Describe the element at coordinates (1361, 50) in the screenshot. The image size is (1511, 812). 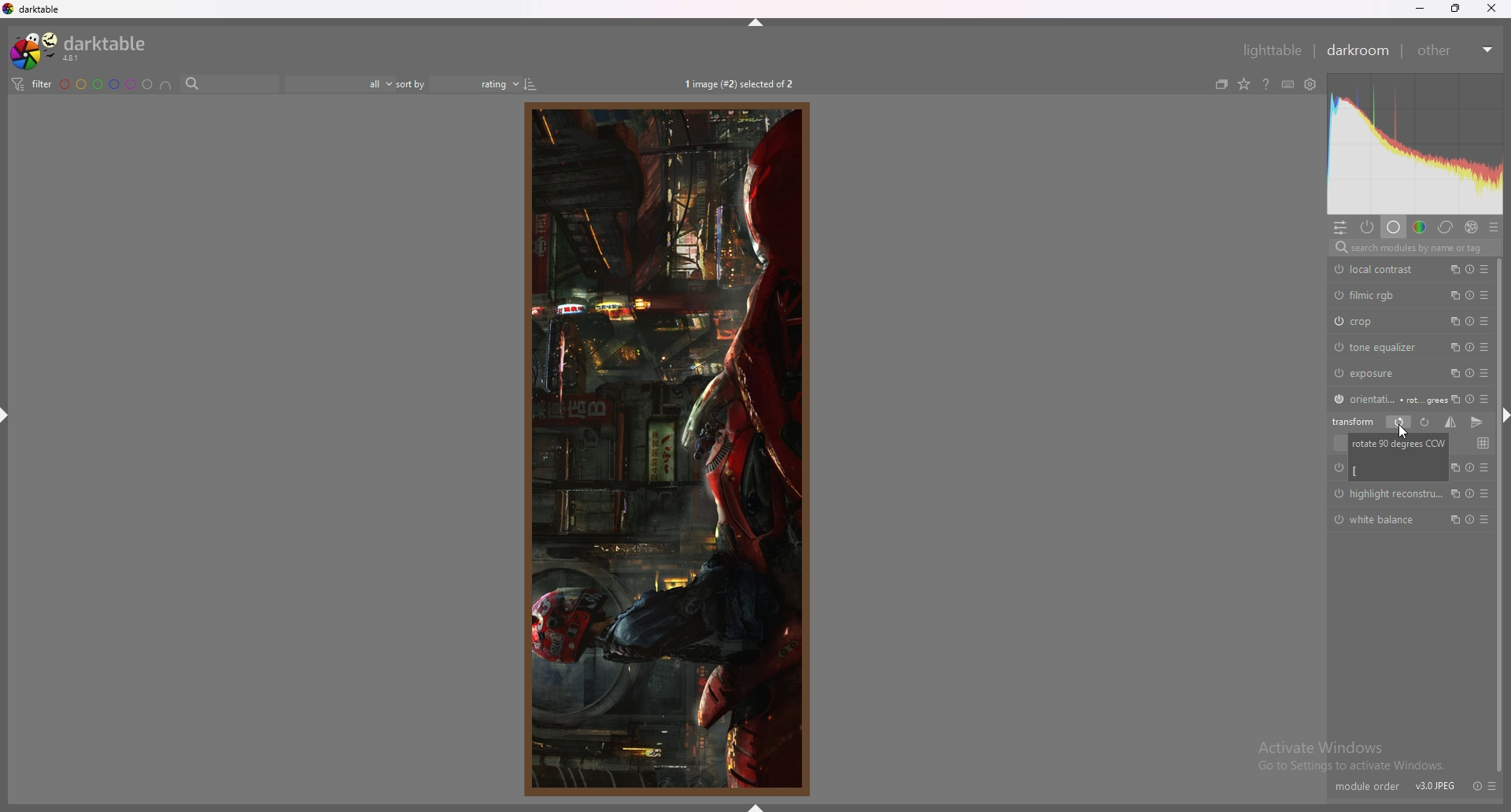
I see `darkroom` at that location.